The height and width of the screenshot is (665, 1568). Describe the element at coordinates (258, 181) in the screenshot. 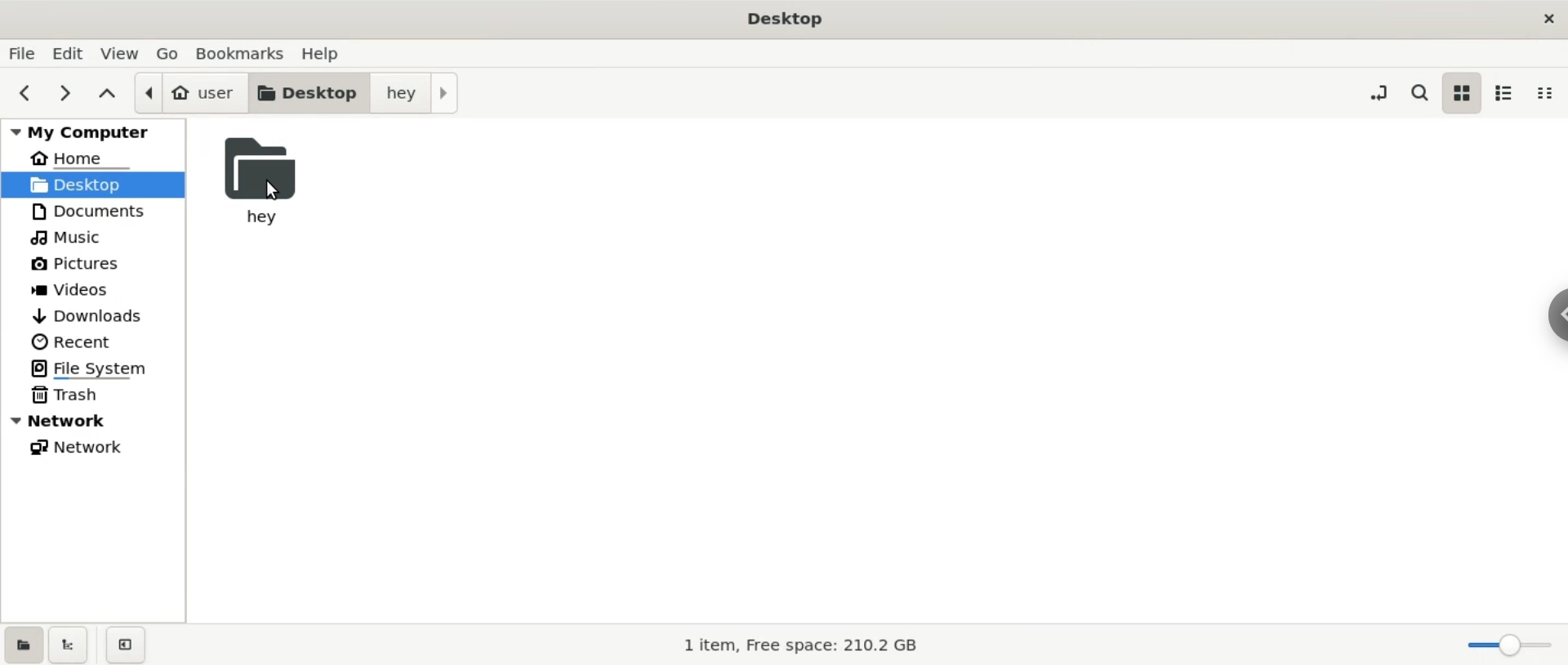

I see `hey` at that location.